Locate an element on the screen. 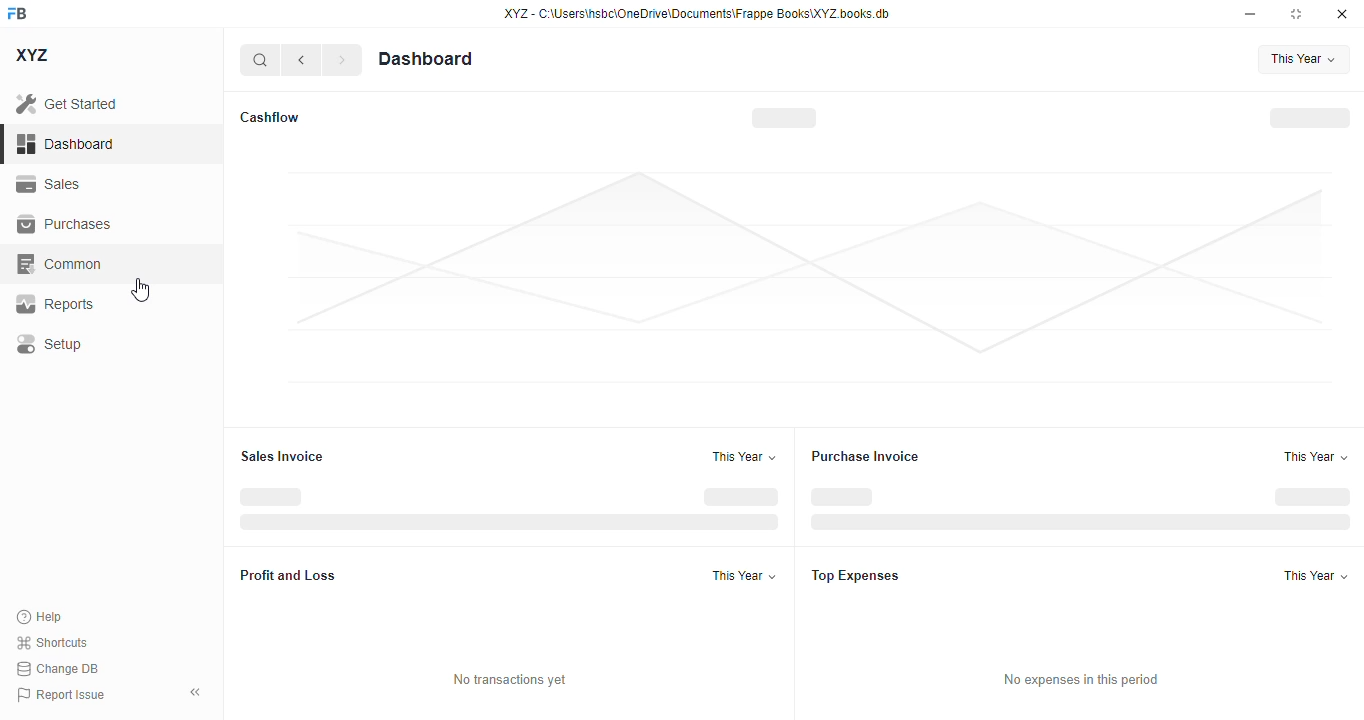  cursor is located at coordinates (141, 290).